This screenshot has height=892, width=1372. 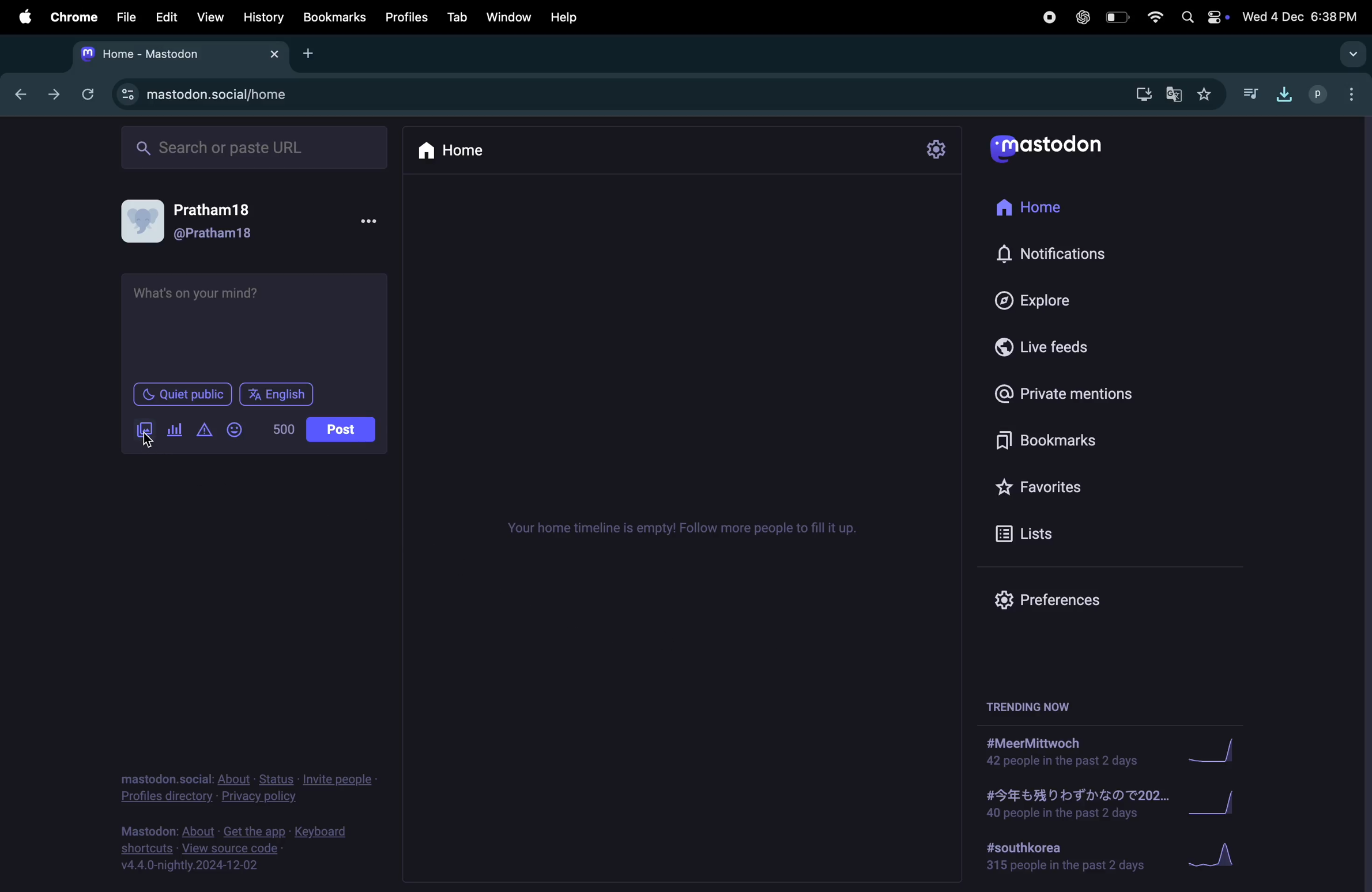 I want to click on file, so click(x=125, y=14).